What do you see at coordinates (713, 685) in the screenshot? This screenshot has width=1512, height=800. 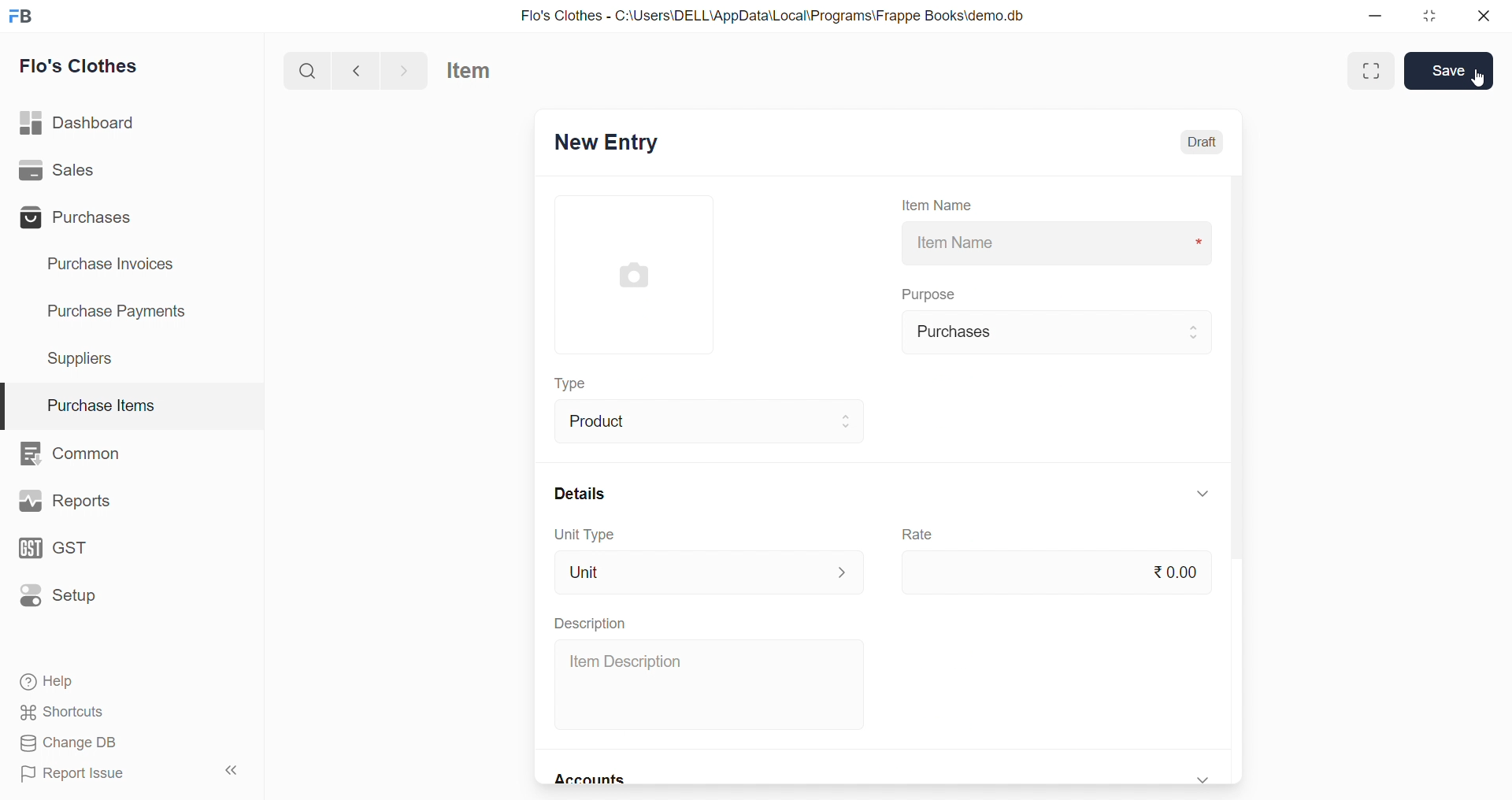 I see `Item Description` at bounding box center [713, 685].